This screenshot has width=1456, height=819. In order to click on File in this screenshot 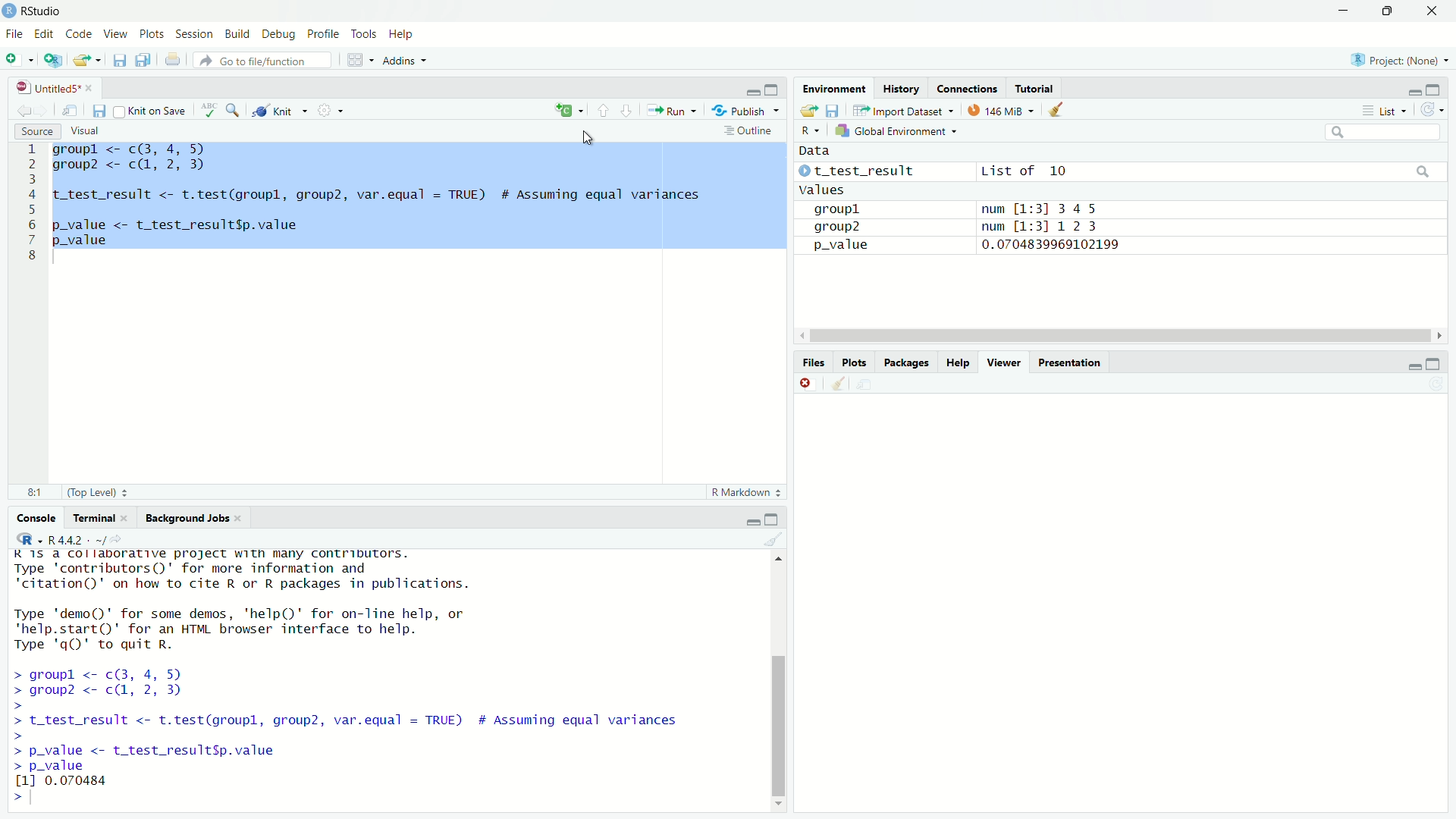, I will do `click(14, 34)`.